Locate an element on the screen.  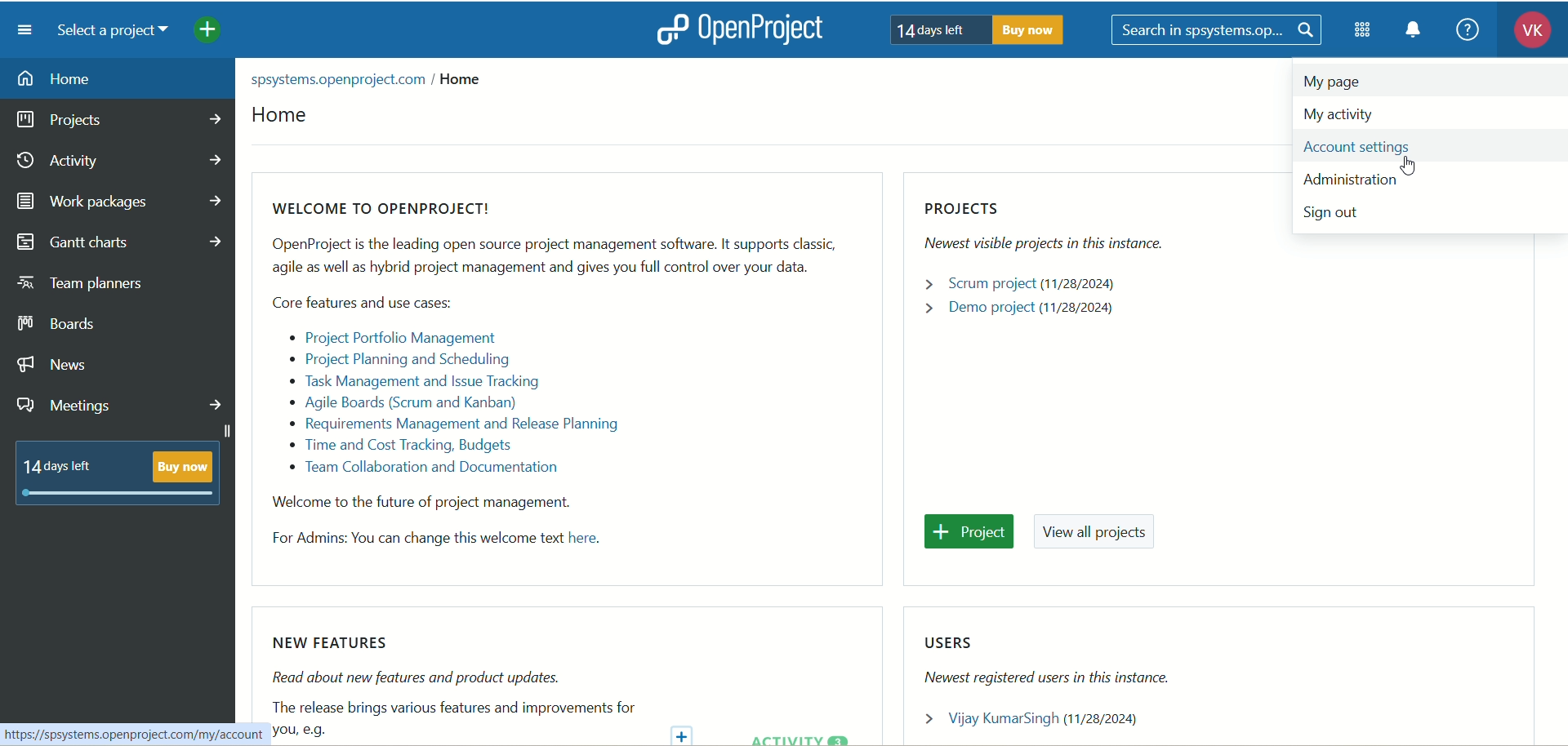
URL is located at coordinates (127, 733).